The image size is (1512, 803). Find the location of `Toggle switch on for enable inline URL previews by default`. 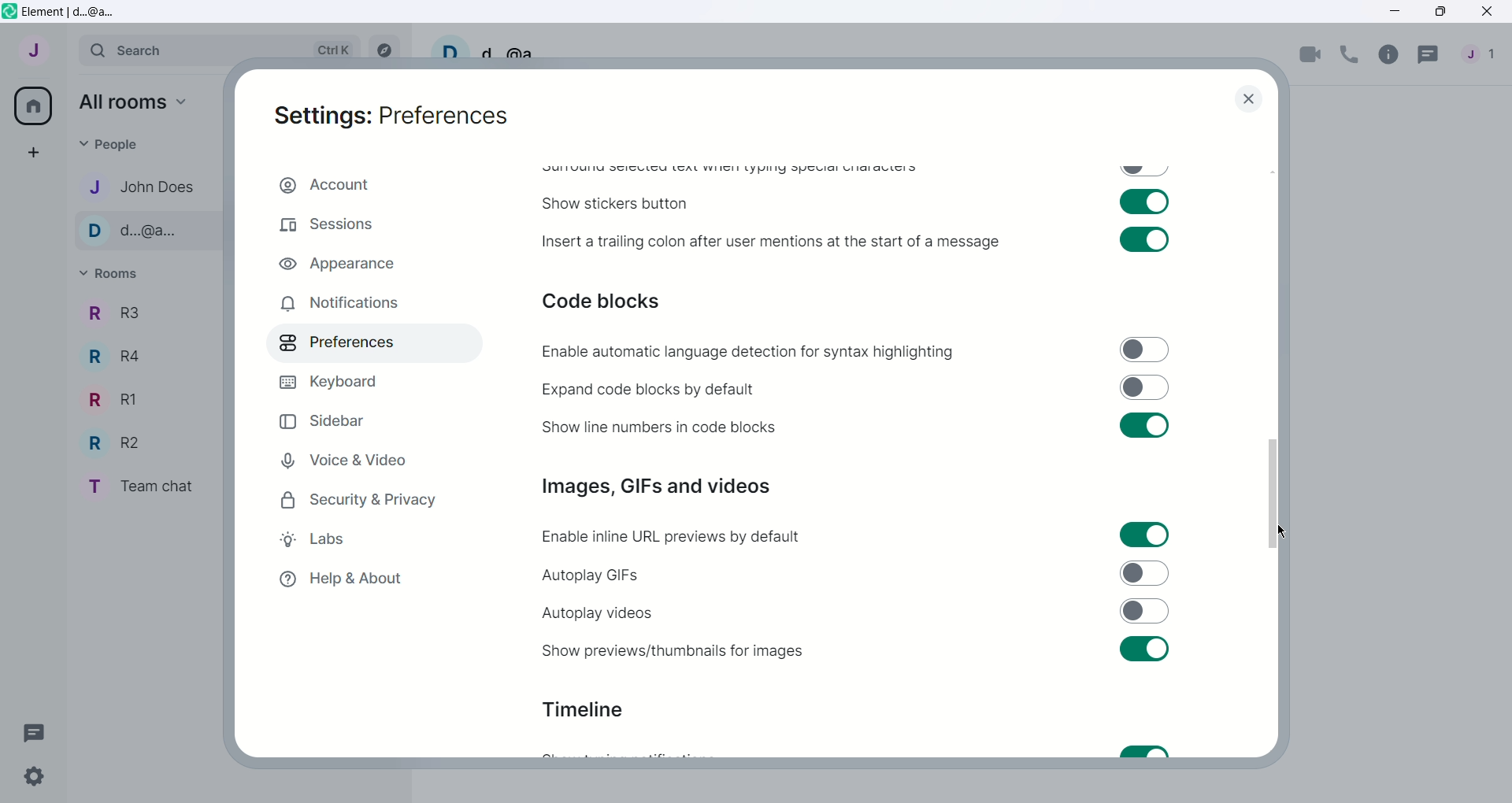

Toggle switch on for enable inline URL previews by default is located at coordinates (1145, 534).